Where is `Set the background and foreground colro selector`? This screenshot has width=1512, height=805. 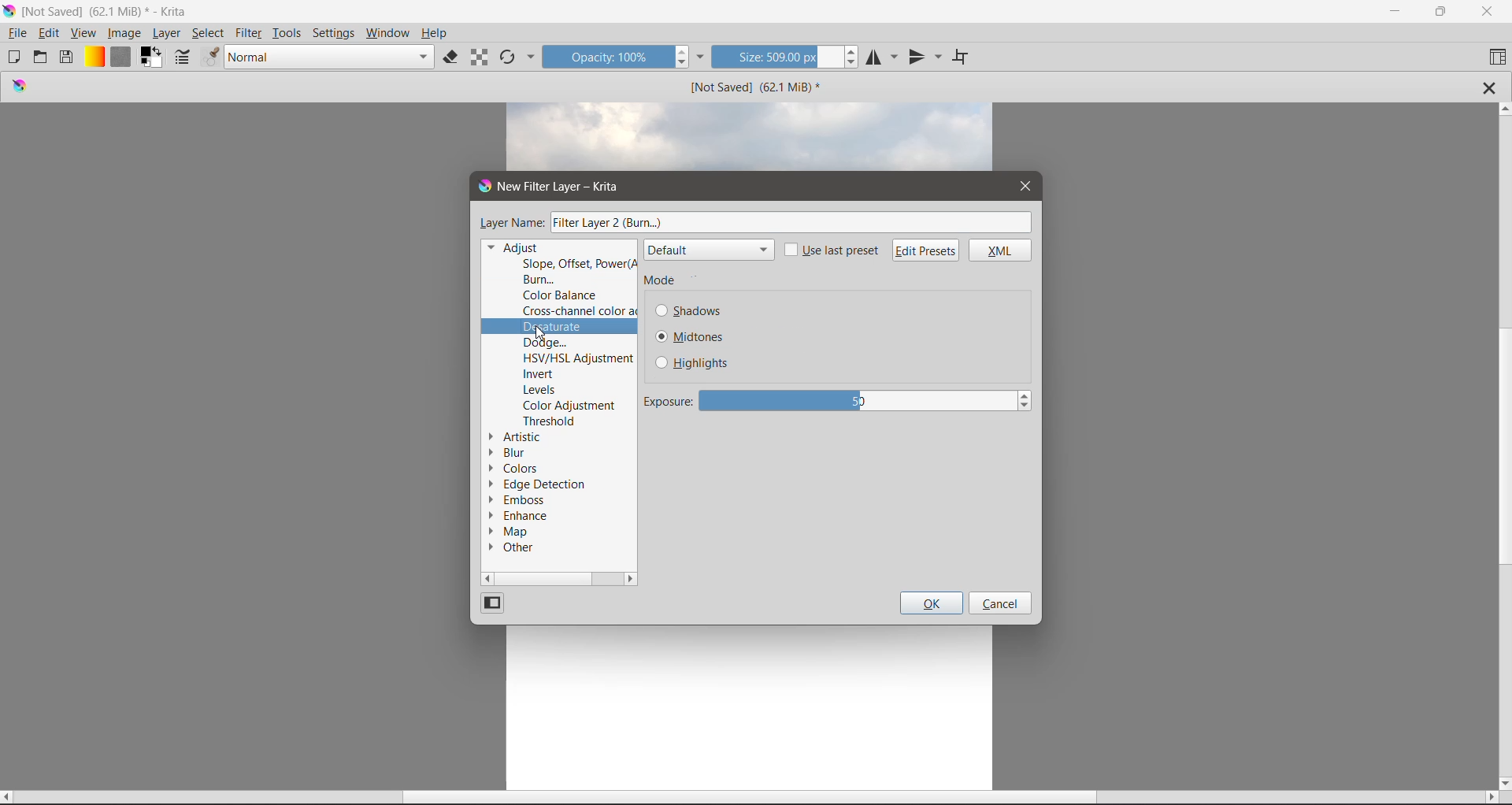 Set the background and foreground colro selector is located at coordinates (150, 57).